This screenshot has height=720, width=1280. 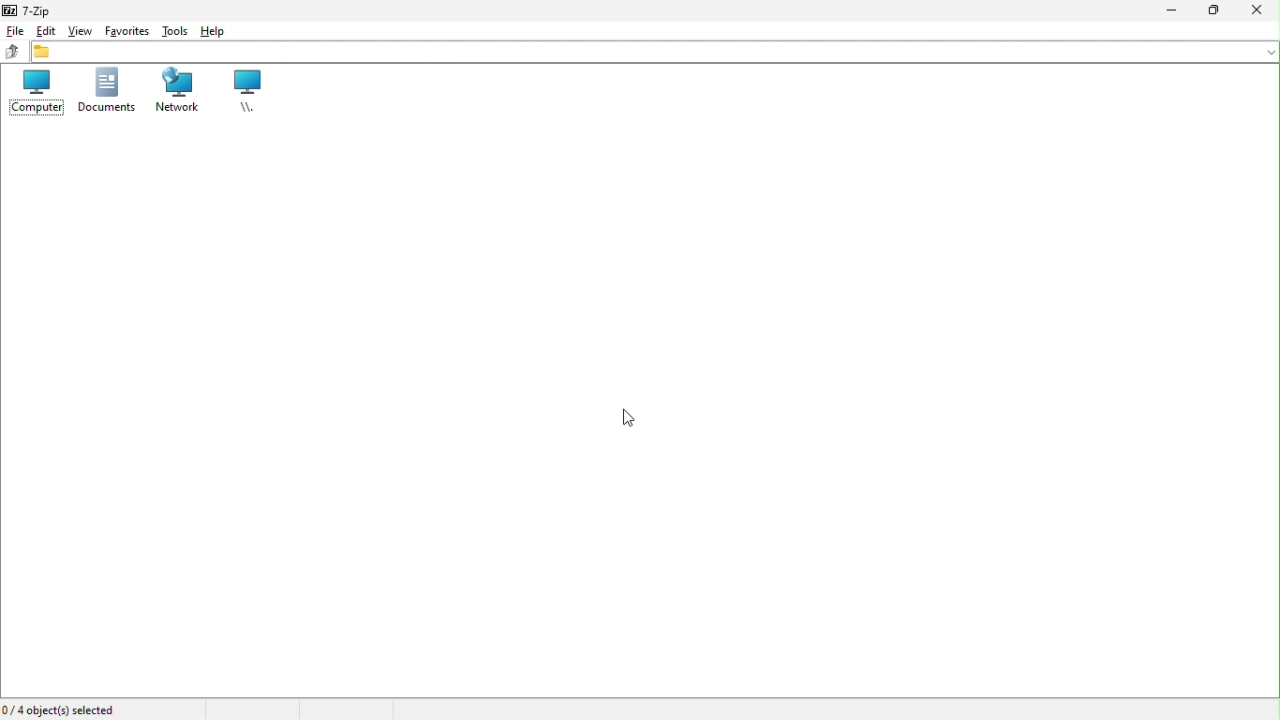 What do you see at coordinates (625, 416) in the screenshot?
I see `cursor` at bounding box center [625, 416].